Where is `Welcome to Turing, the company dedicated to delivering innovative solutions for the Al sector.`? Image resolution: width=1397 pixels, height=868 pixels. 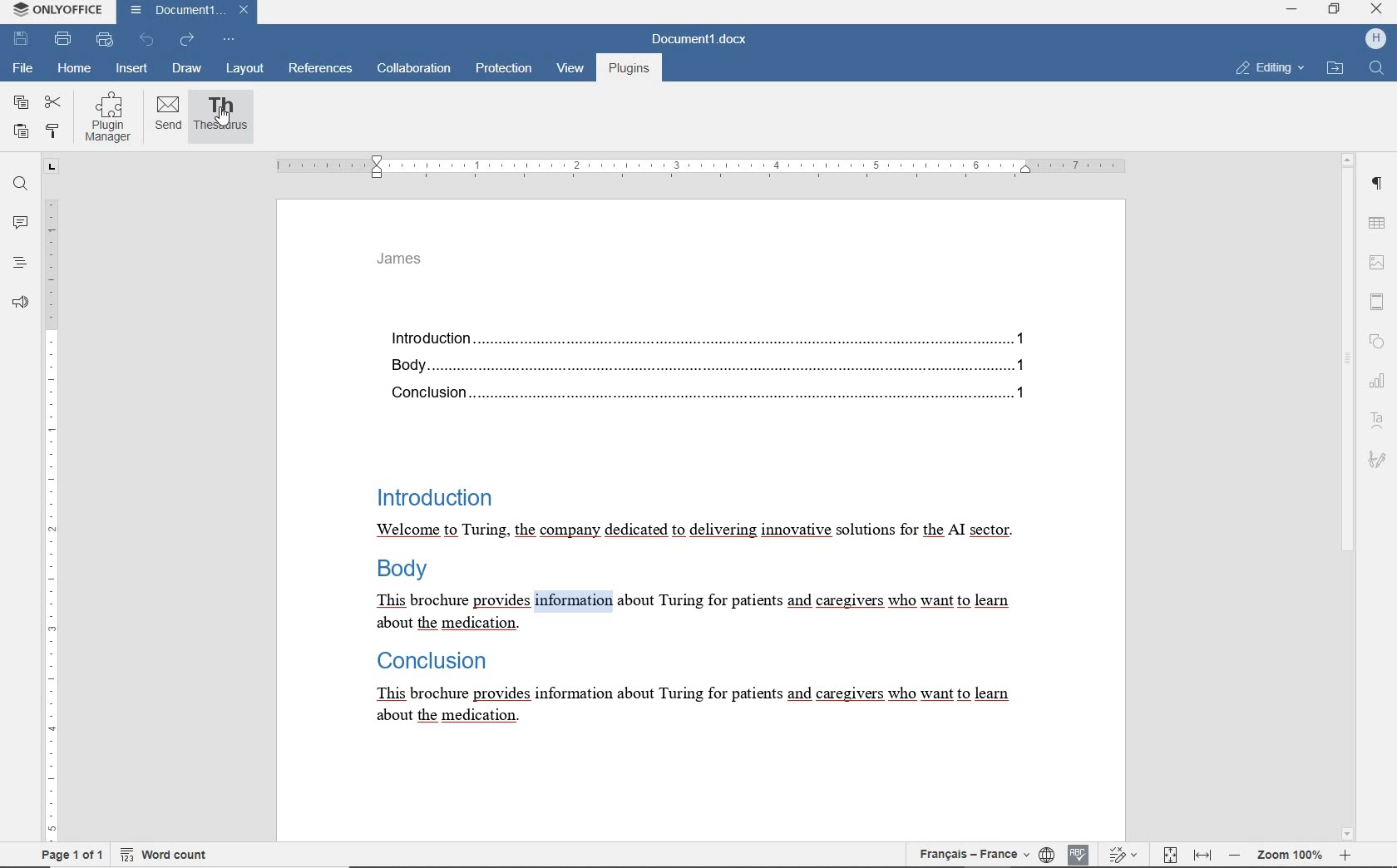
Welcome to Turing, the company dedicated to delivering innovative solutions for the Al sector. is located at coordinates (694, 531).